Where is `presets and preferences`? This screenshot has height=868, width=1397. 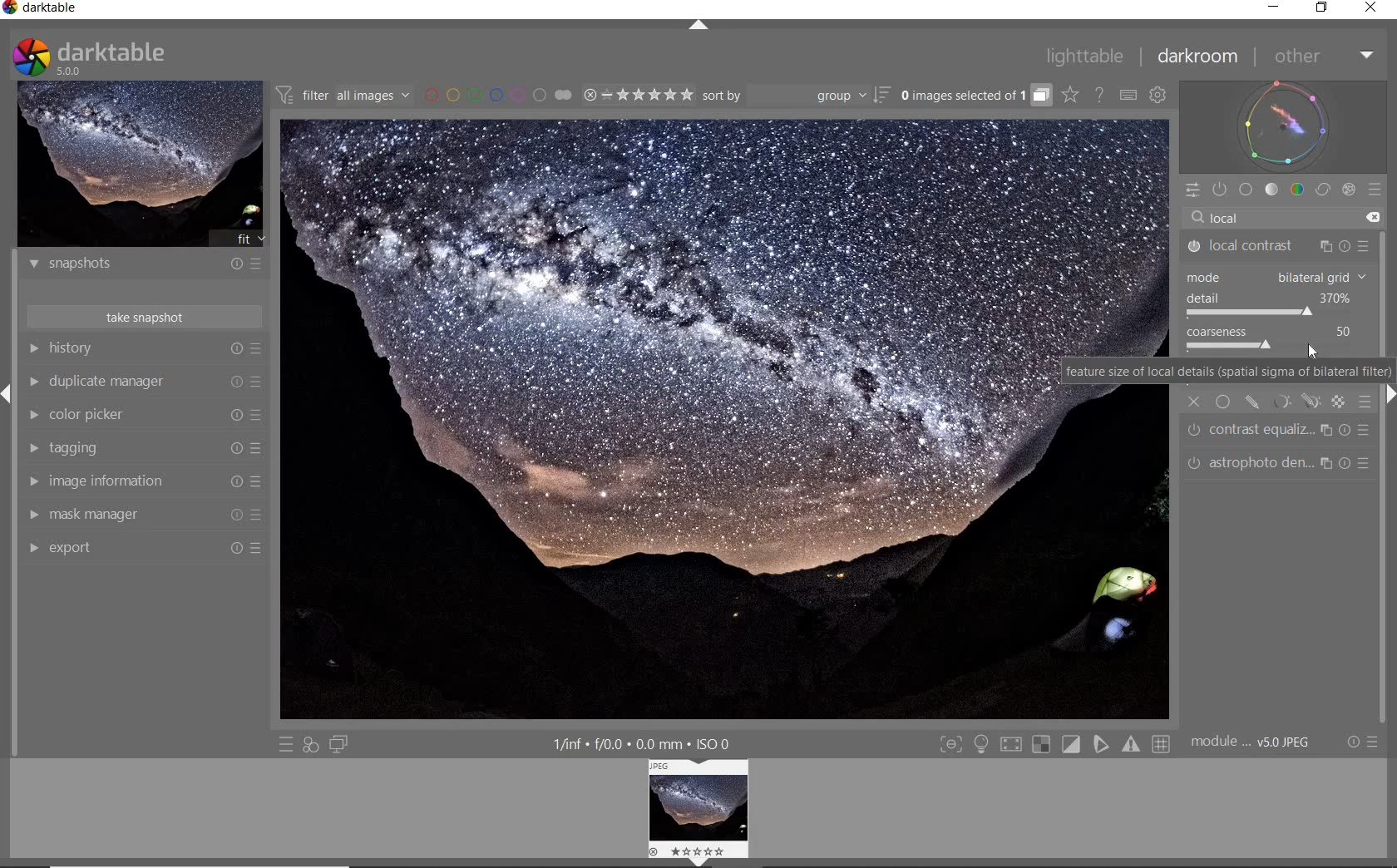 presets and preferences is located at coordinates (257, 348).